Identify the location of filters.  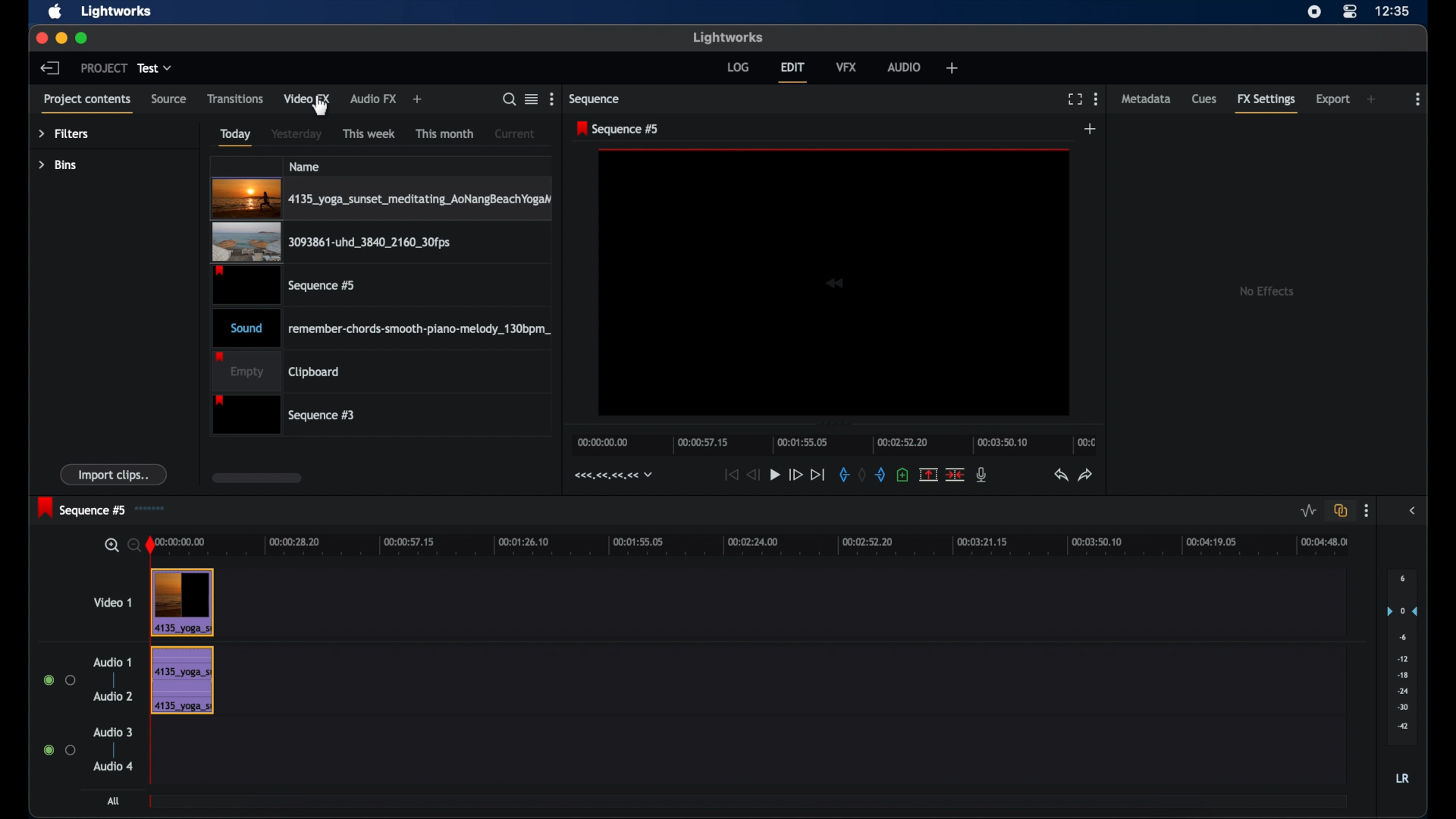
(63, 133).